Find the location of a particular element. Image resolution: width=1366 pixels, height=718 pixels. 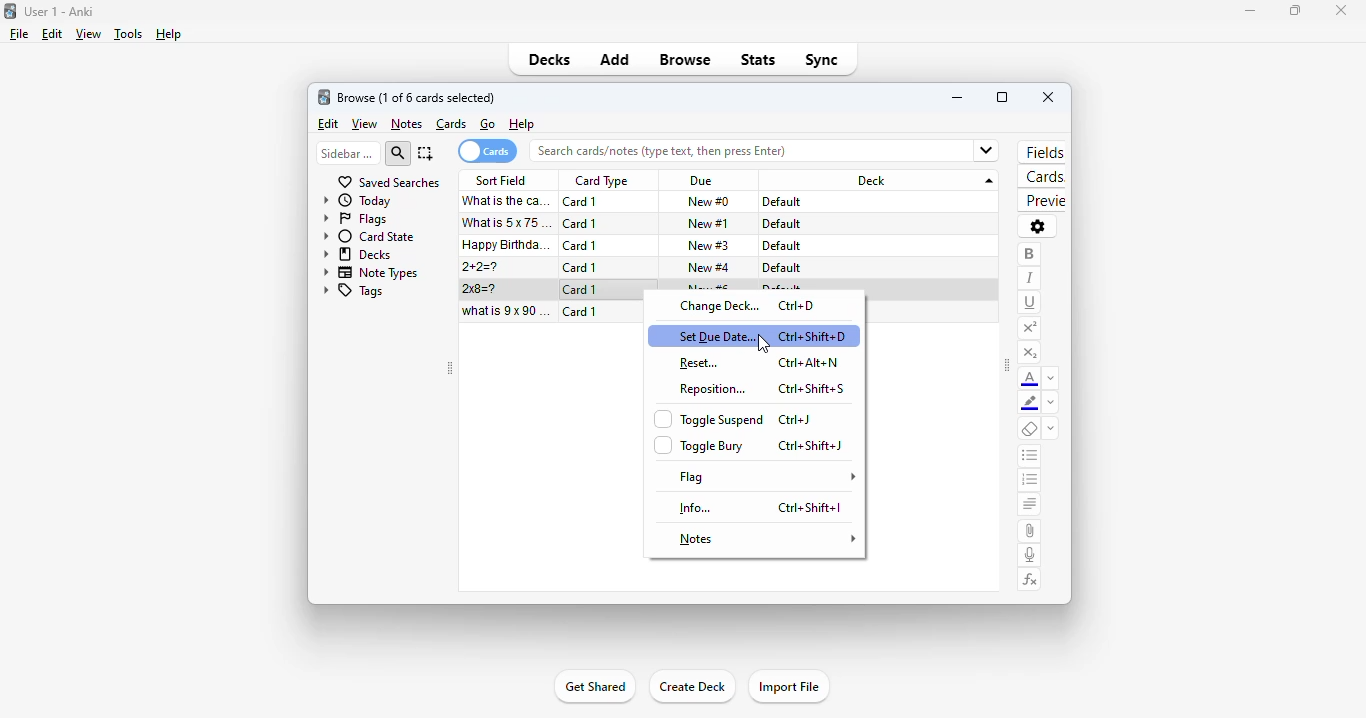

default is located at coordinates (782, 246).